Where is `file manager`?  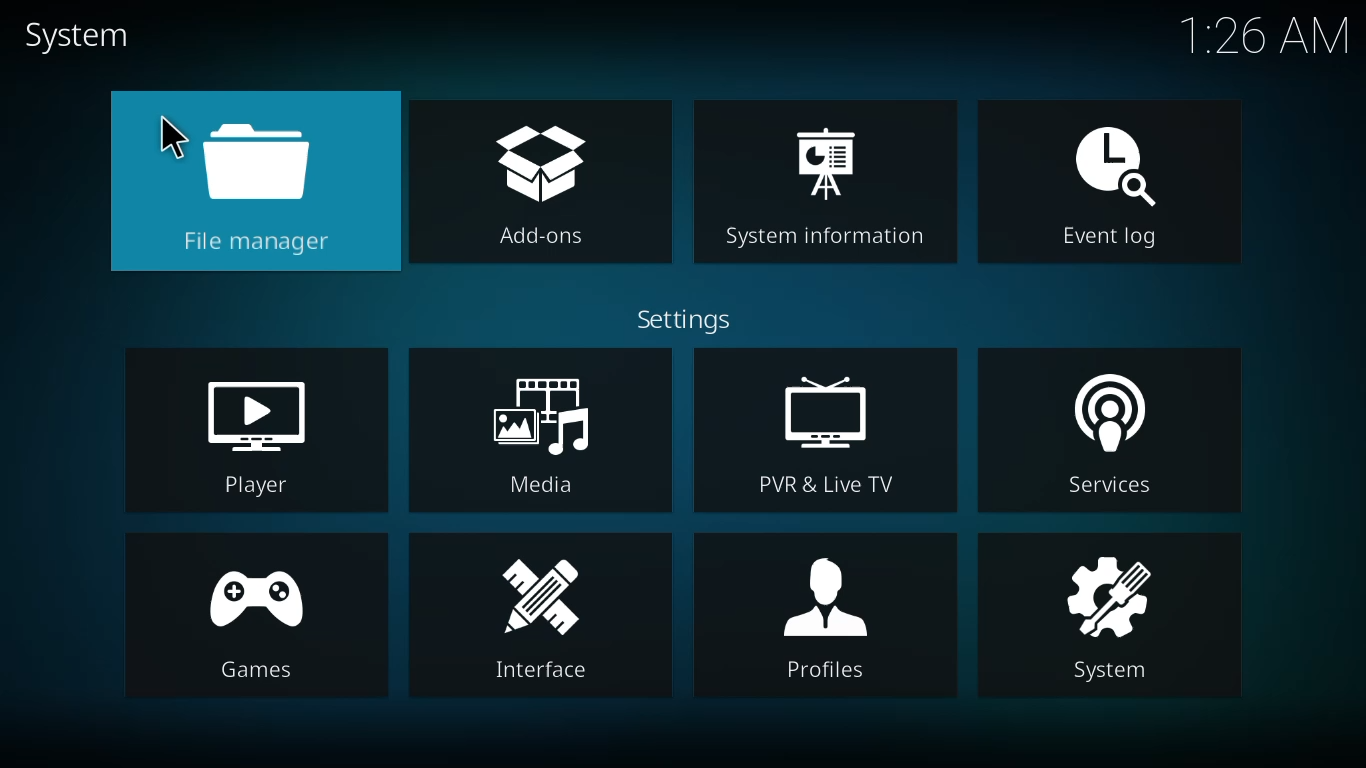
file manager is located at coordinates (257, 181).